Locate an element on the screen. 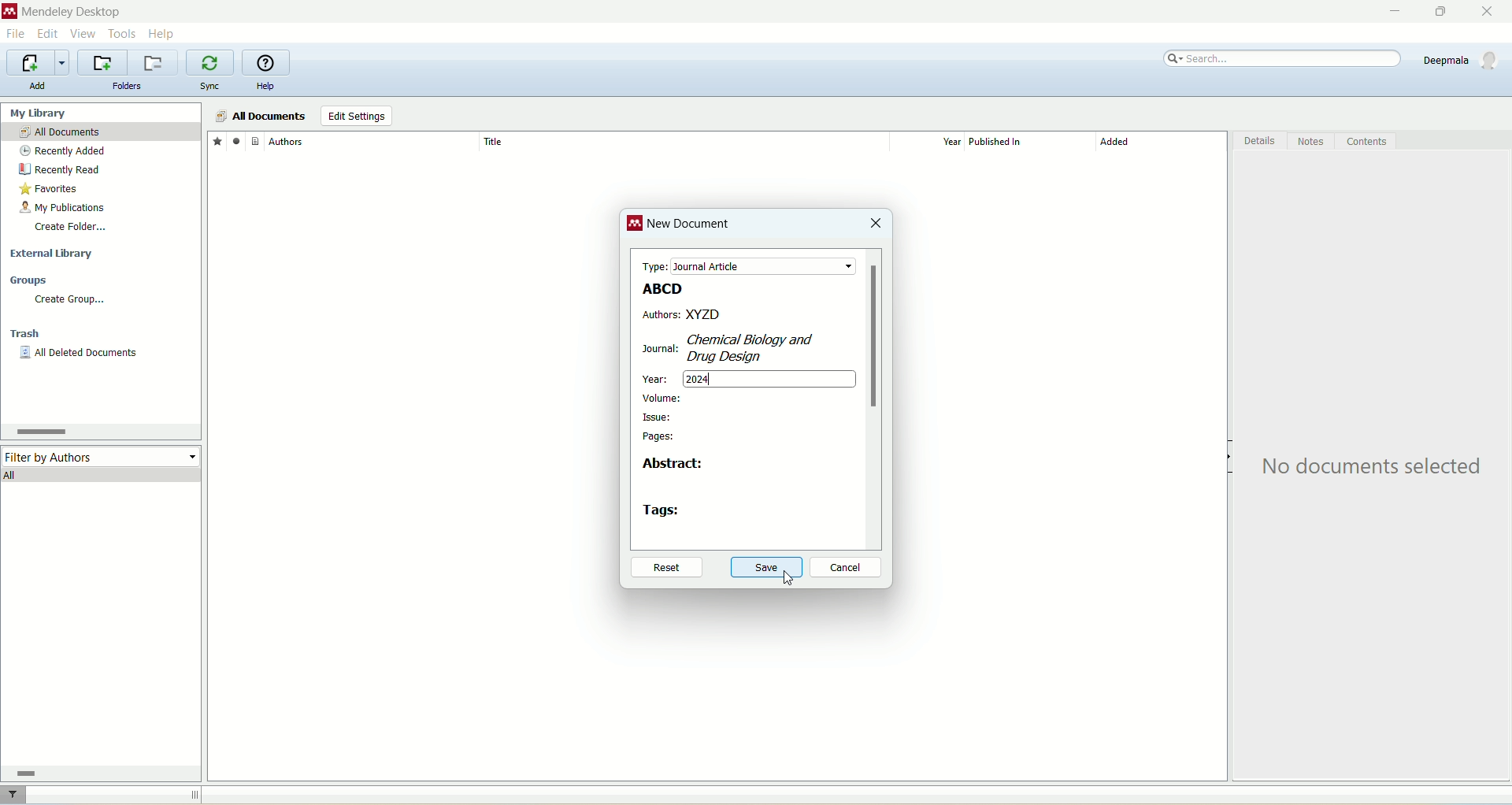  create group is located at coordinates (69, 299).